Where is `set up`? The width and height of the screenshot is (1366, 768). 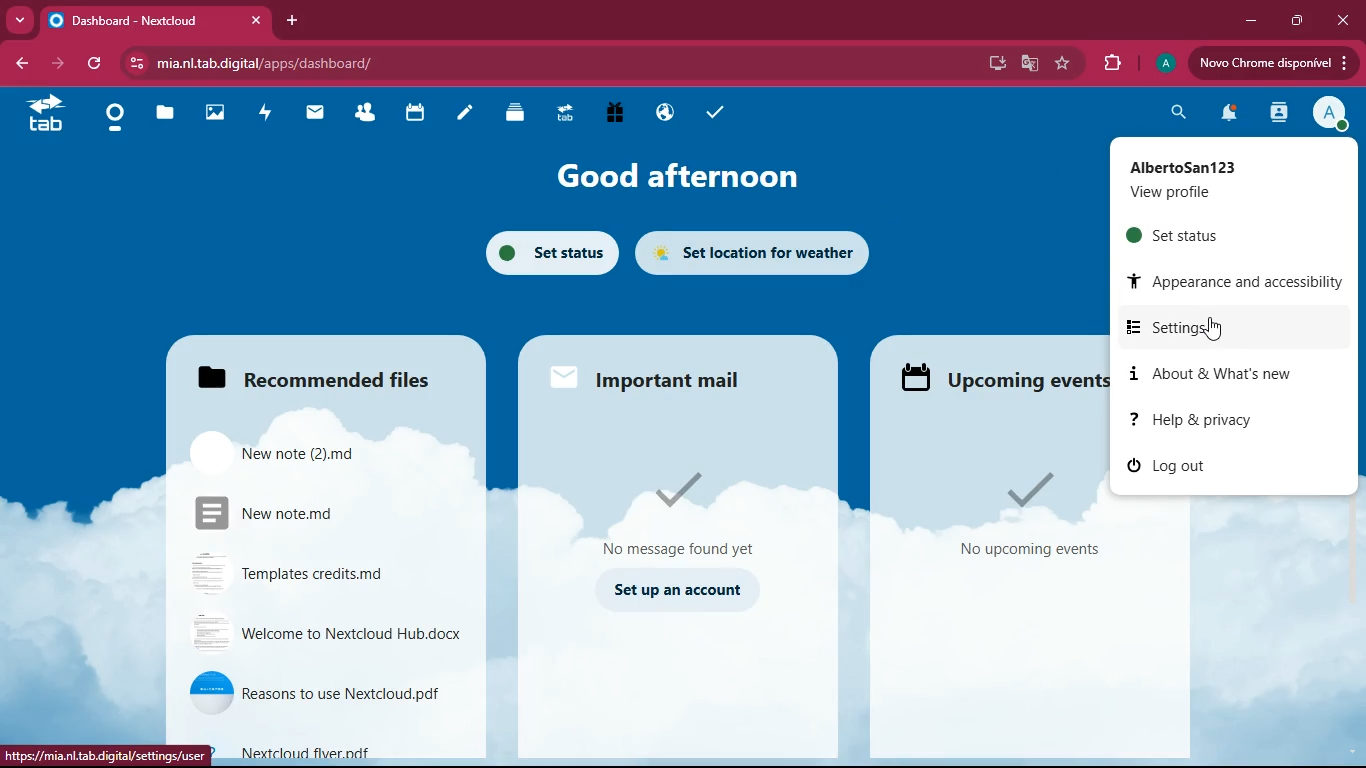
set up is located at coordinates (677, 593).